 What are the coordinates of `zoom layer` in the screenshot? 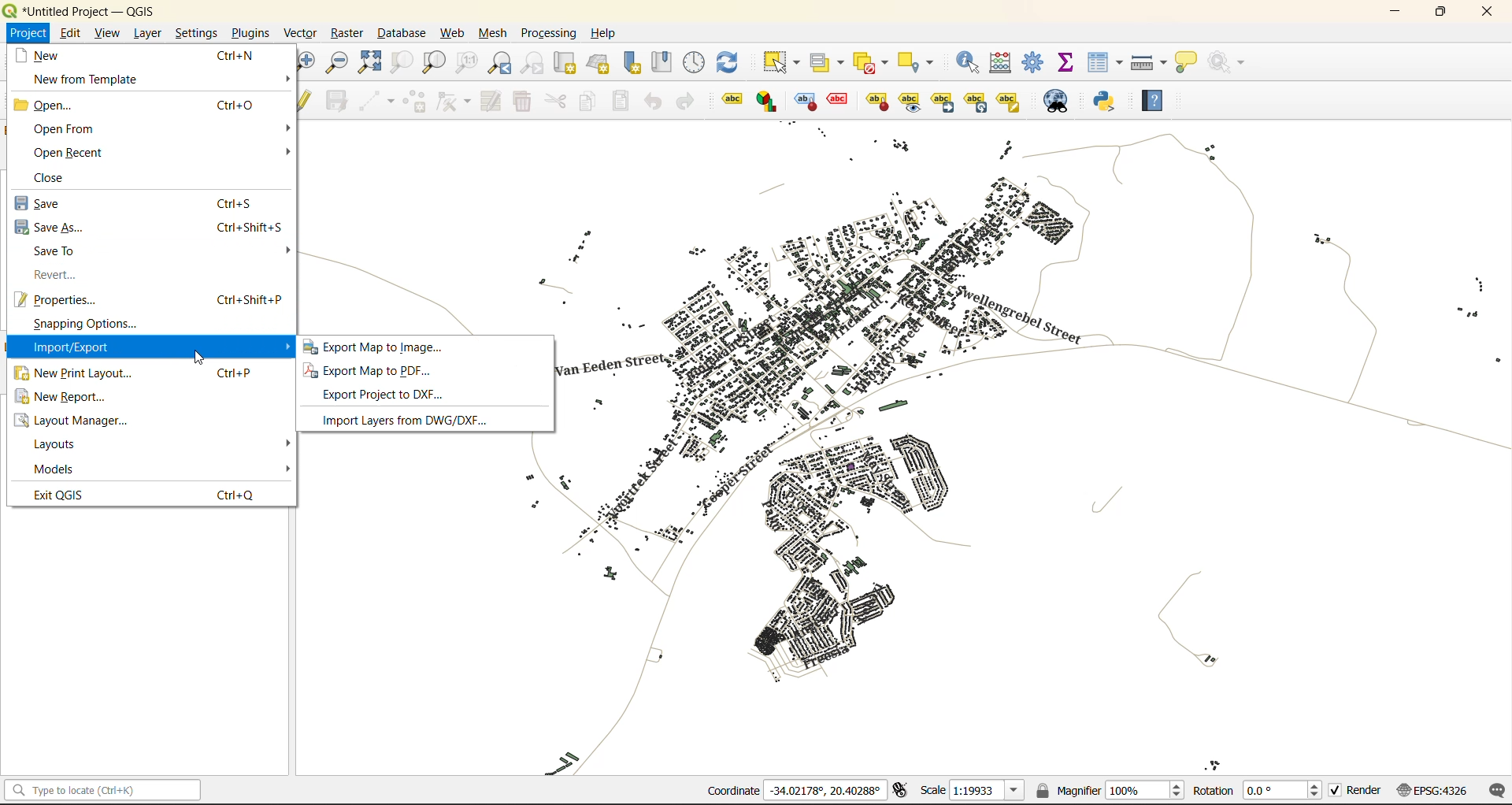 It's located at (435, 64).